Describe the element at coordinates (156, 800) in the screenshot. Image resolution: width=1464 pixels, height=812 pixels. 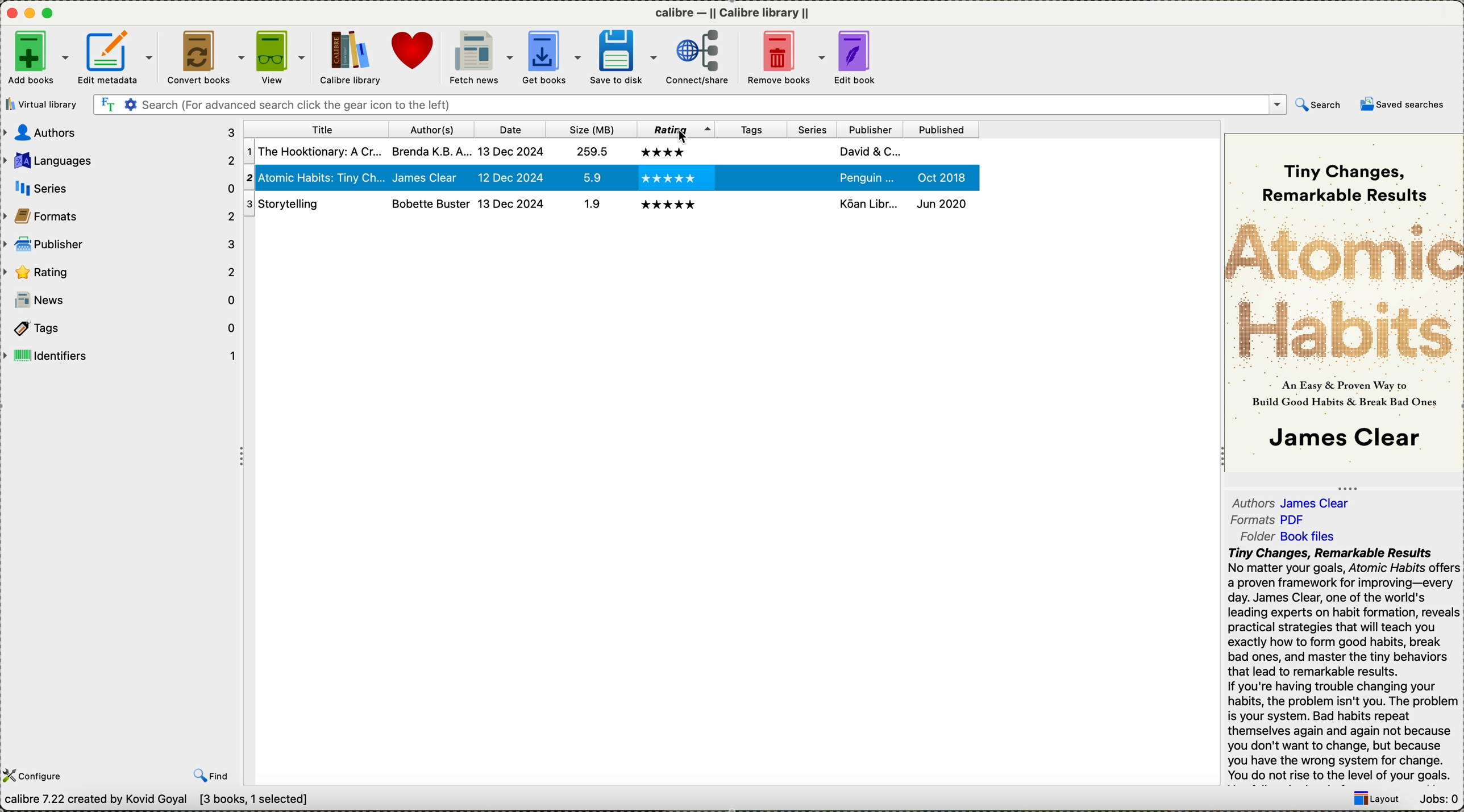
I see `calibre 7.22 created by Kovid Goyal [3 books]` at that location.